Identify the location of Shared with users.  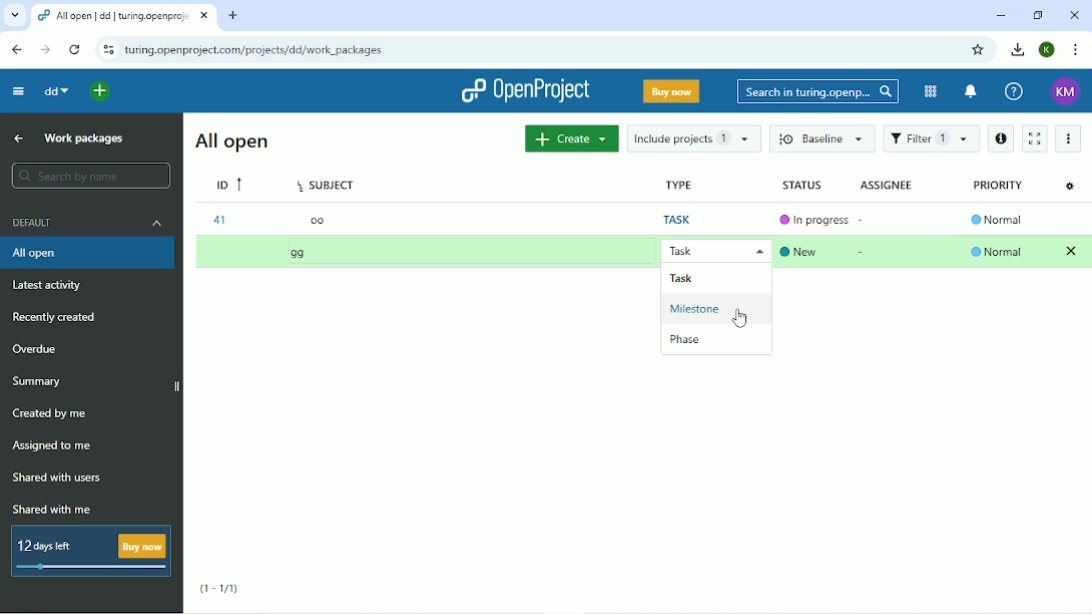
(58, 477).